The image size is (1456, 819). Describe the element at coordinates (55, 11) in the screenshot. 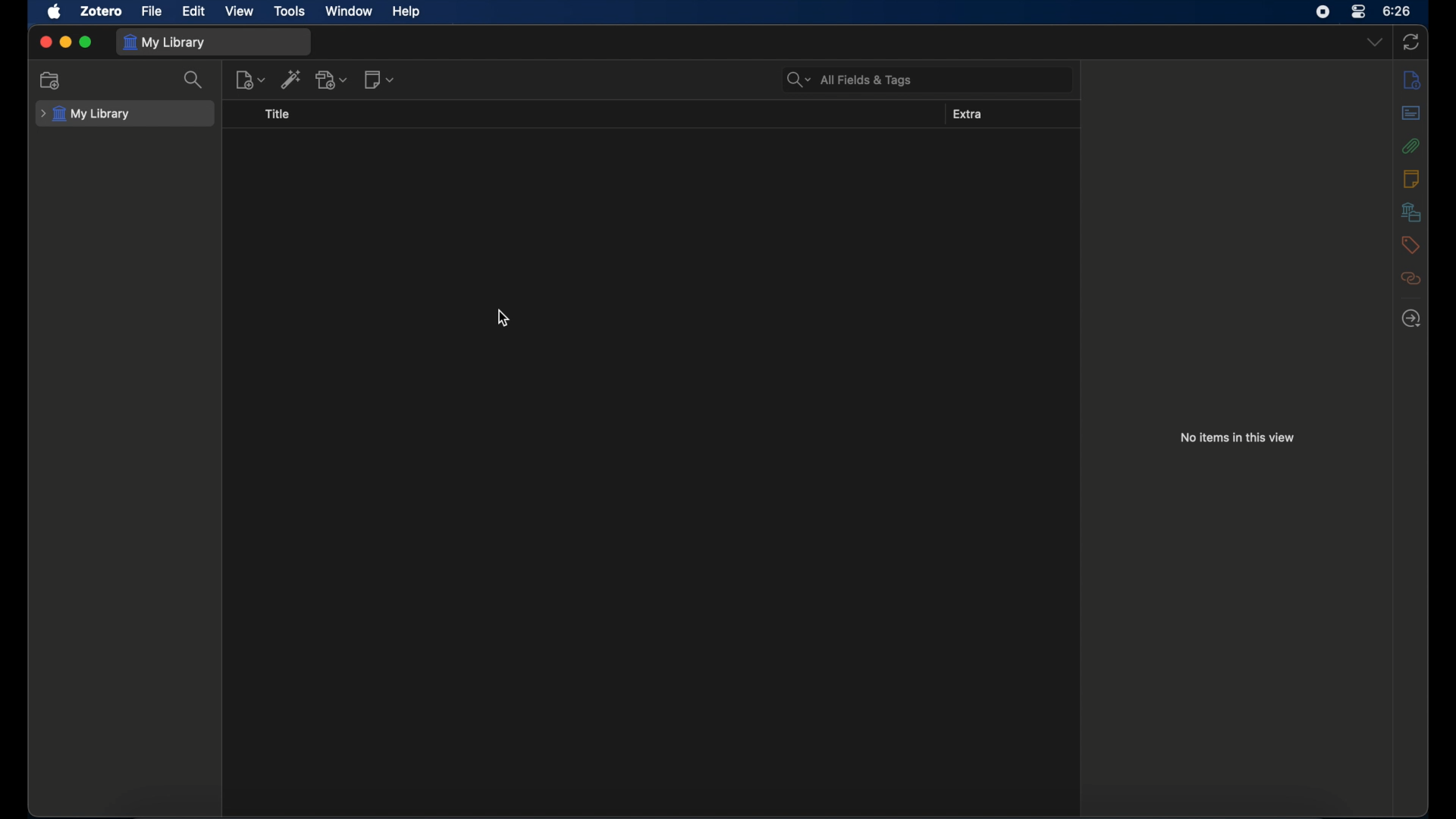

I see `apple icon` at that location.